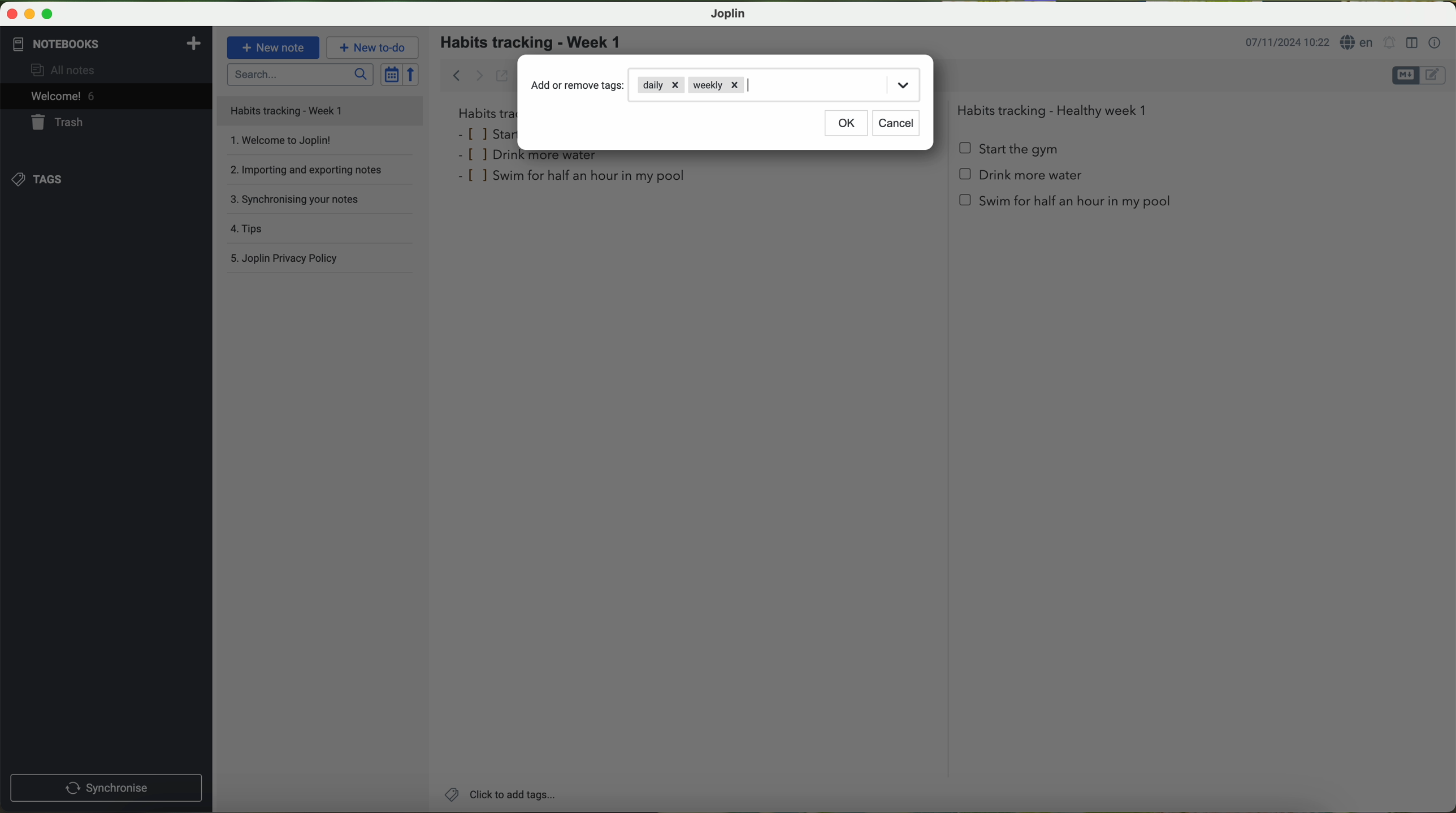  What do you see at coordinates (579, 85) in the screenshot?
I see `add or remove tags` at bounding box center [579, 85].